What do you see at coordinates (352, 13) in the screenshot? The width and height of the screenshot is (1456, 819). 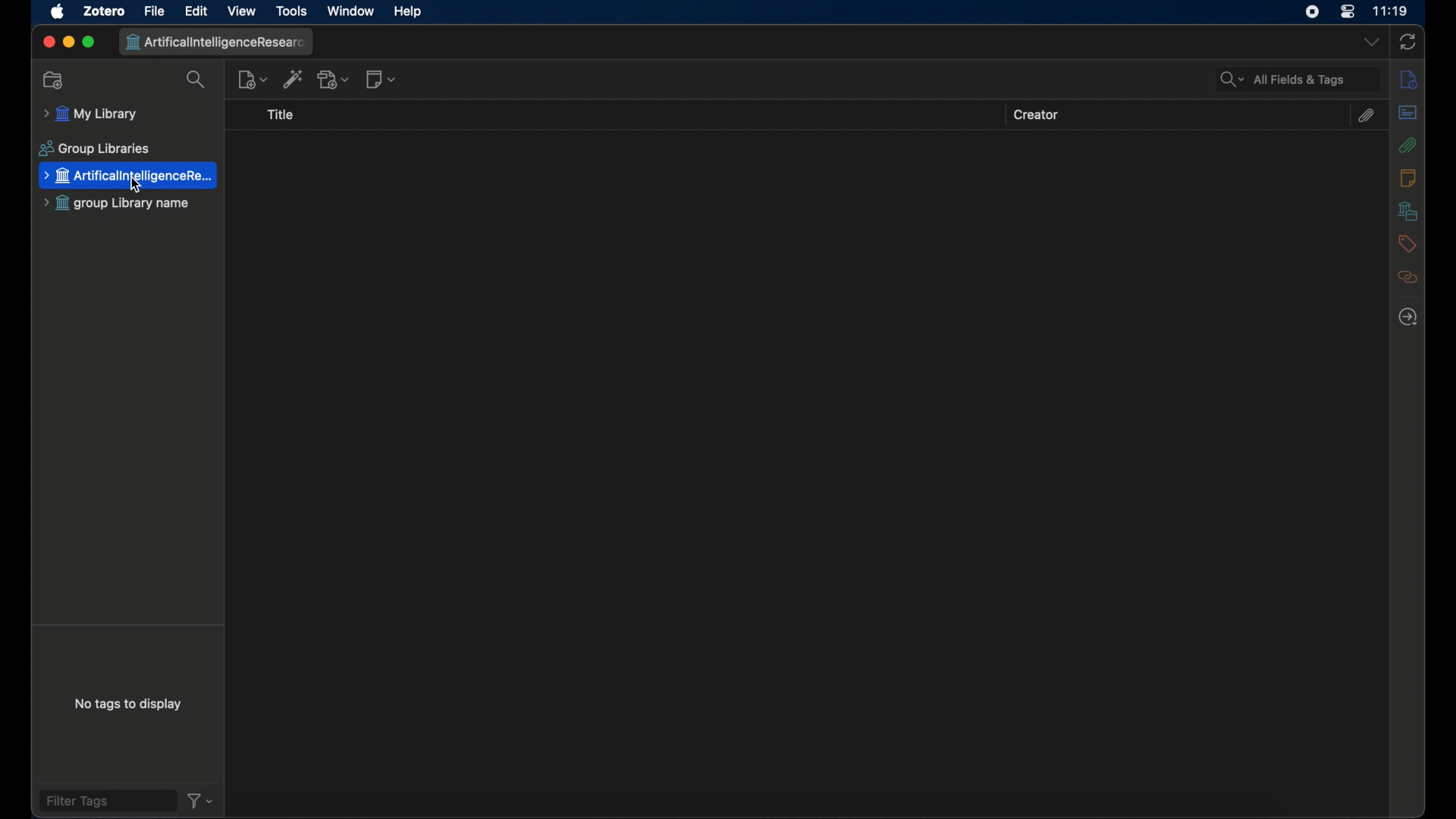 I see `window` at bounding box center [352, 13].